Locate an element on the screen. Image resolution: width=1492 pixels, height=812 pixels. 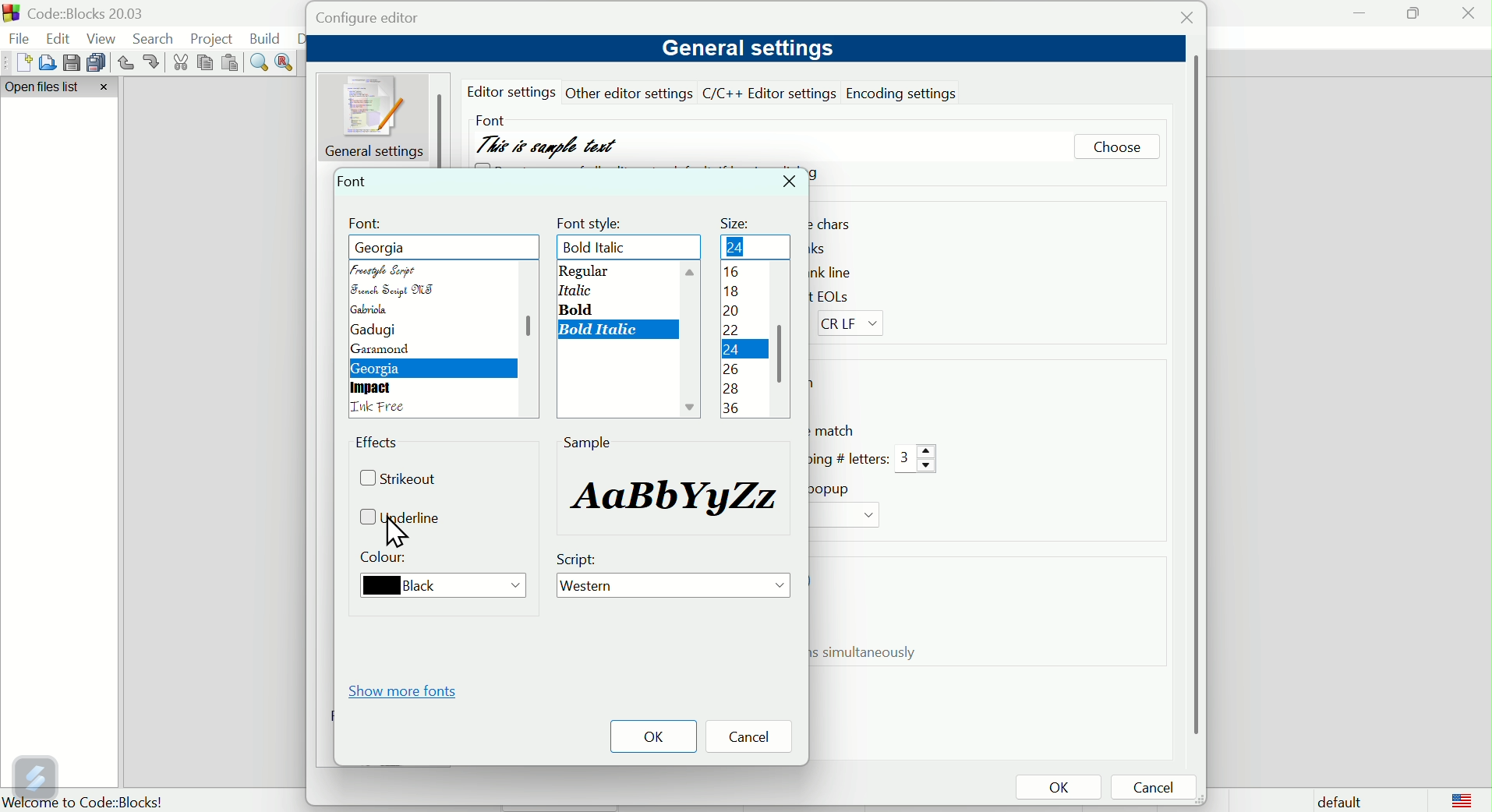
Open file list is located at coordinates (61, 88).